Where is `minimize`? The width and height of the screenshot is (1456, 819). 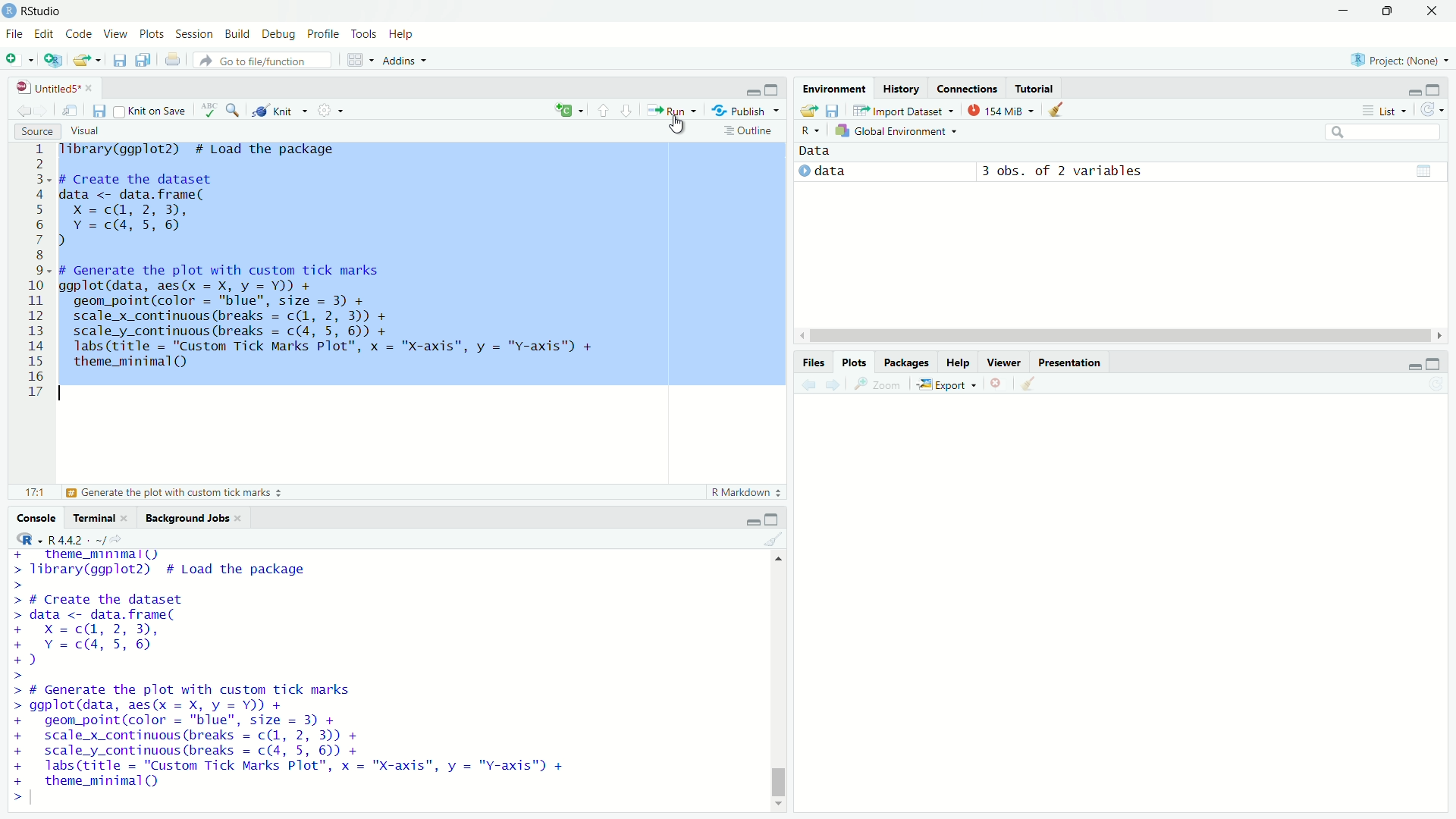
minimize is located at coordinates (744, 518).